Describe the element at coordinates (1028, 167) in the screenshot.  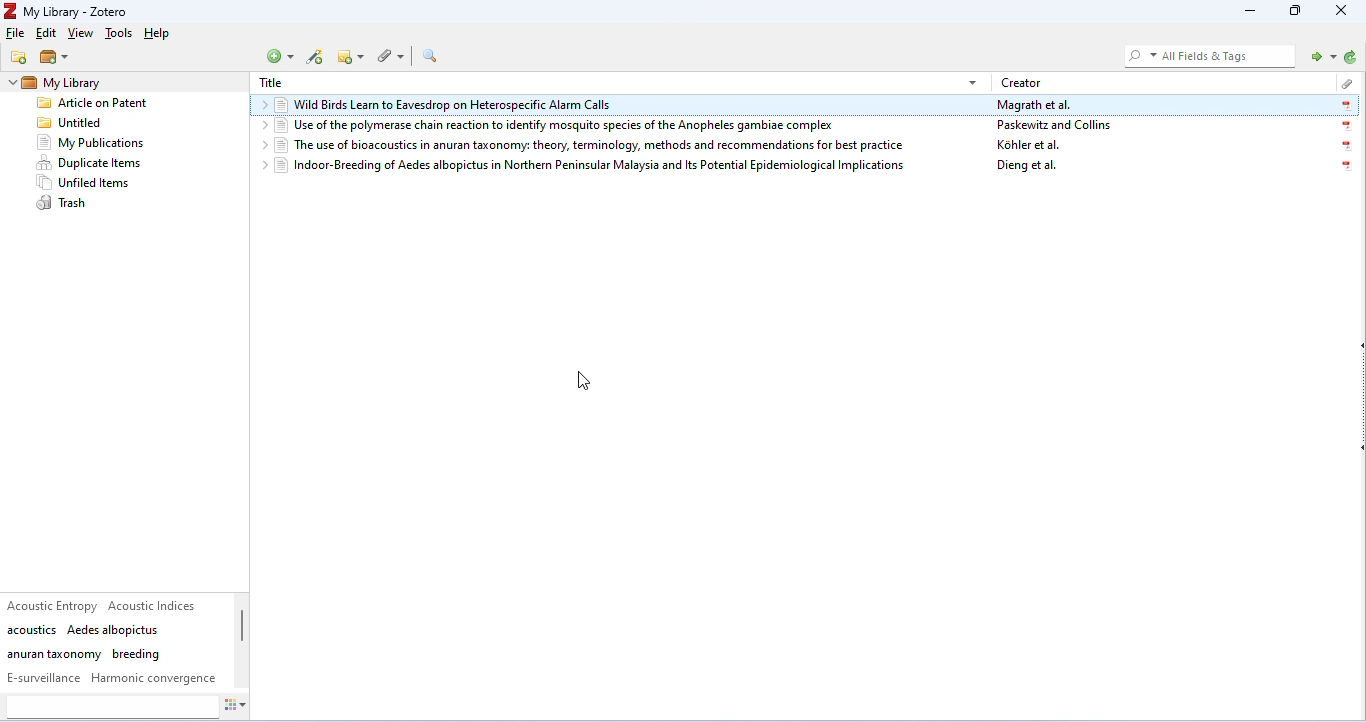
I see `dieng et al.` at that location.